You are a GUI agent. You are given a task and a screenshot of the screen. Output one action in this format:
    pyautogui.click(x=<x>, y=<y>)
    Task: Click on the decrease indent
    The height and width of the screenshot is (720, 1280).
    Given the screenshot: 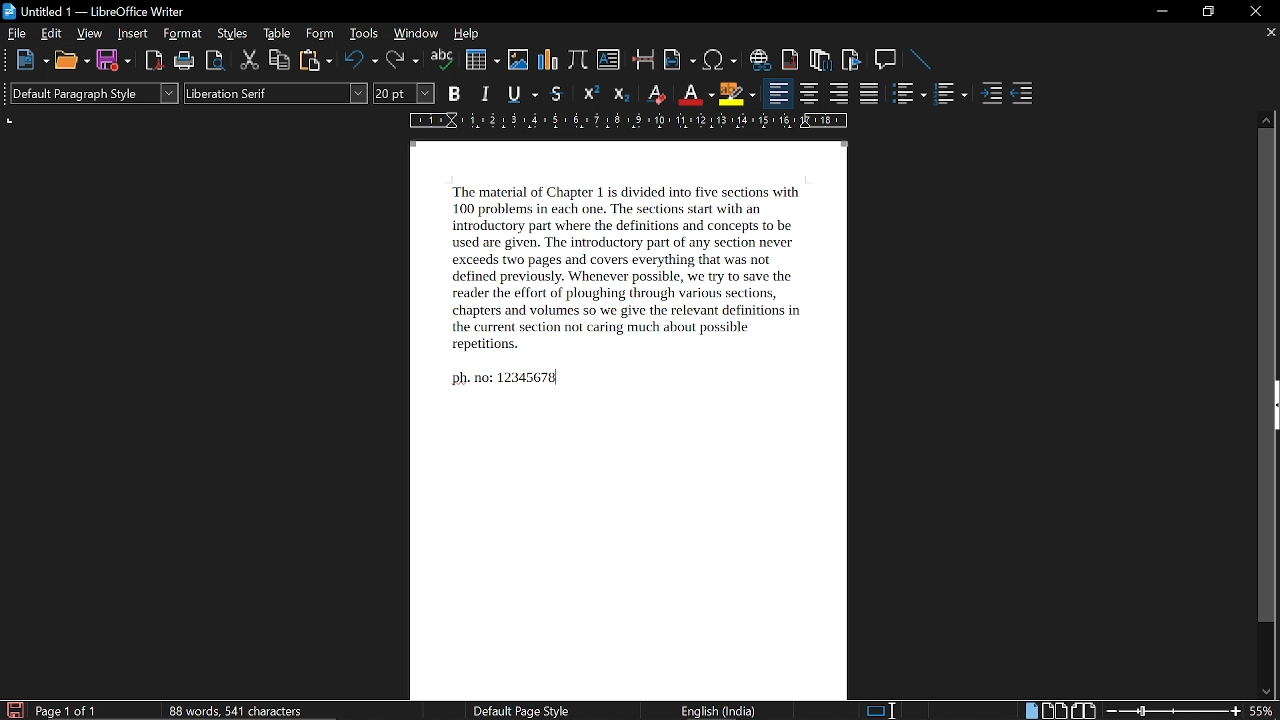 What is the action you would take?
    pyautogui.click(x=1024, y=96)
    